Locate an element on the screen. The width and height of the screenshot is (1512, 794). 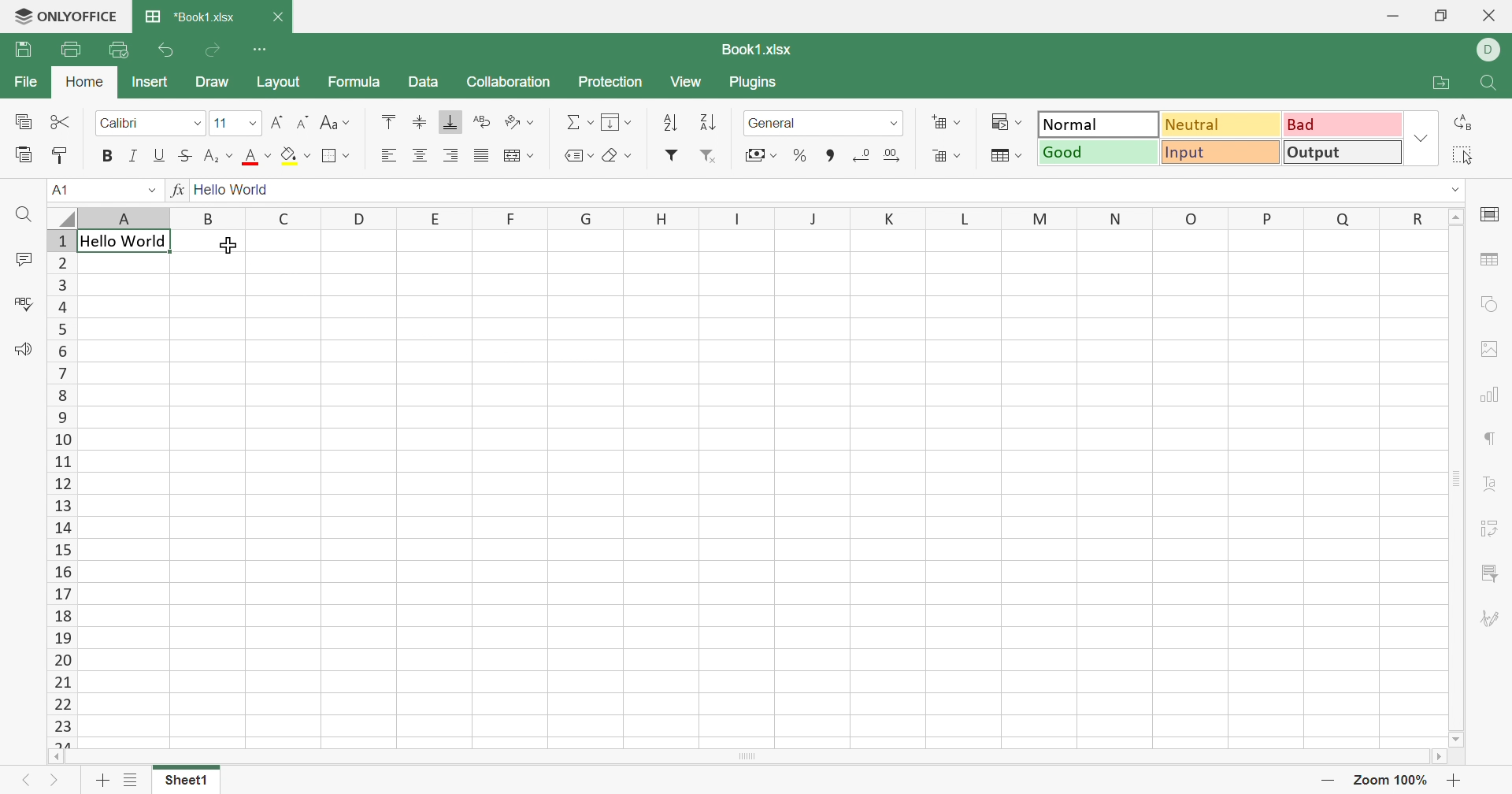
ONLYOFFICE is located at coordinates (61, 15).